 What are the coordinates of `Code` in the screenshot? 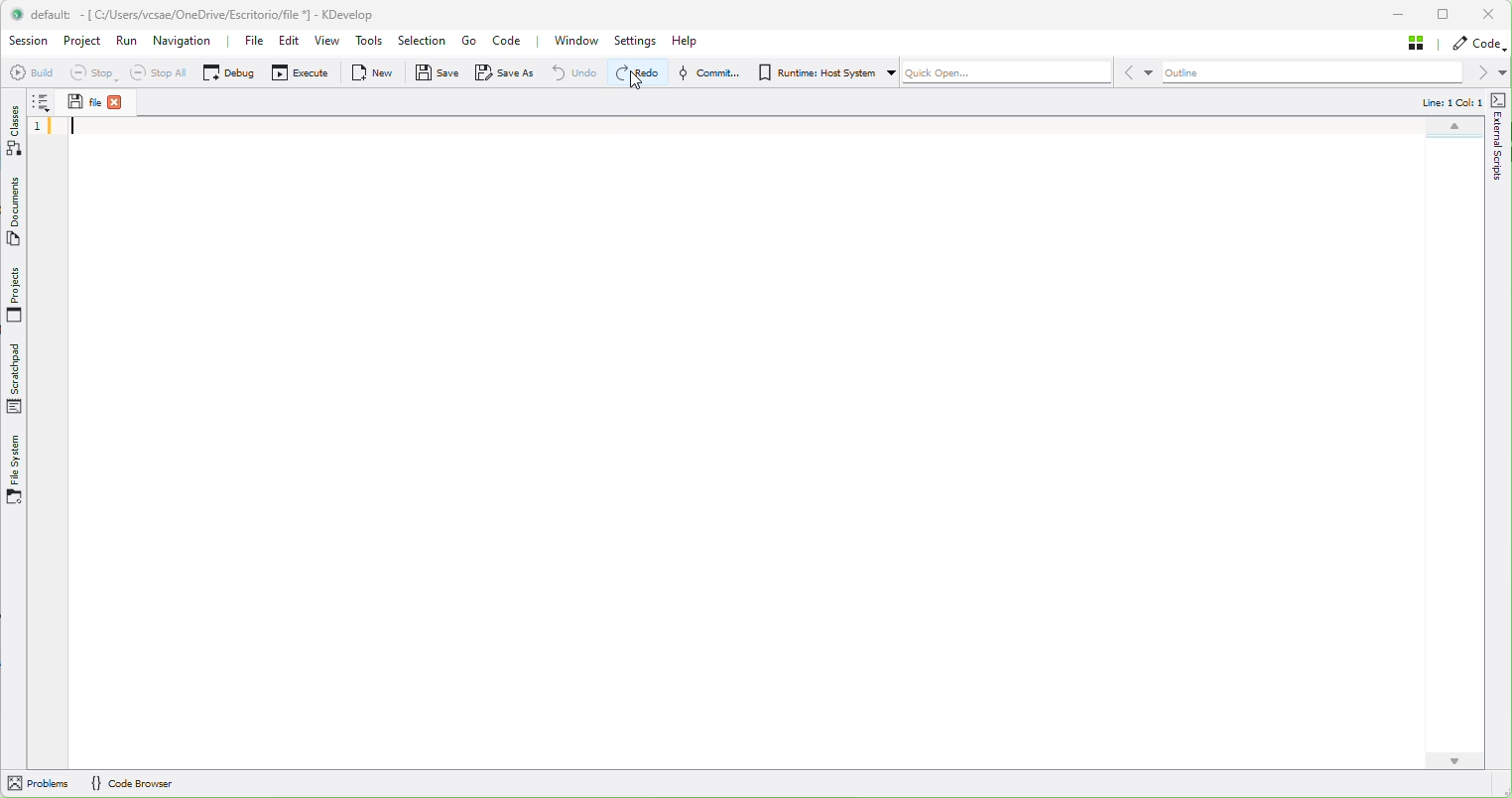 It's located at (1474, 45).